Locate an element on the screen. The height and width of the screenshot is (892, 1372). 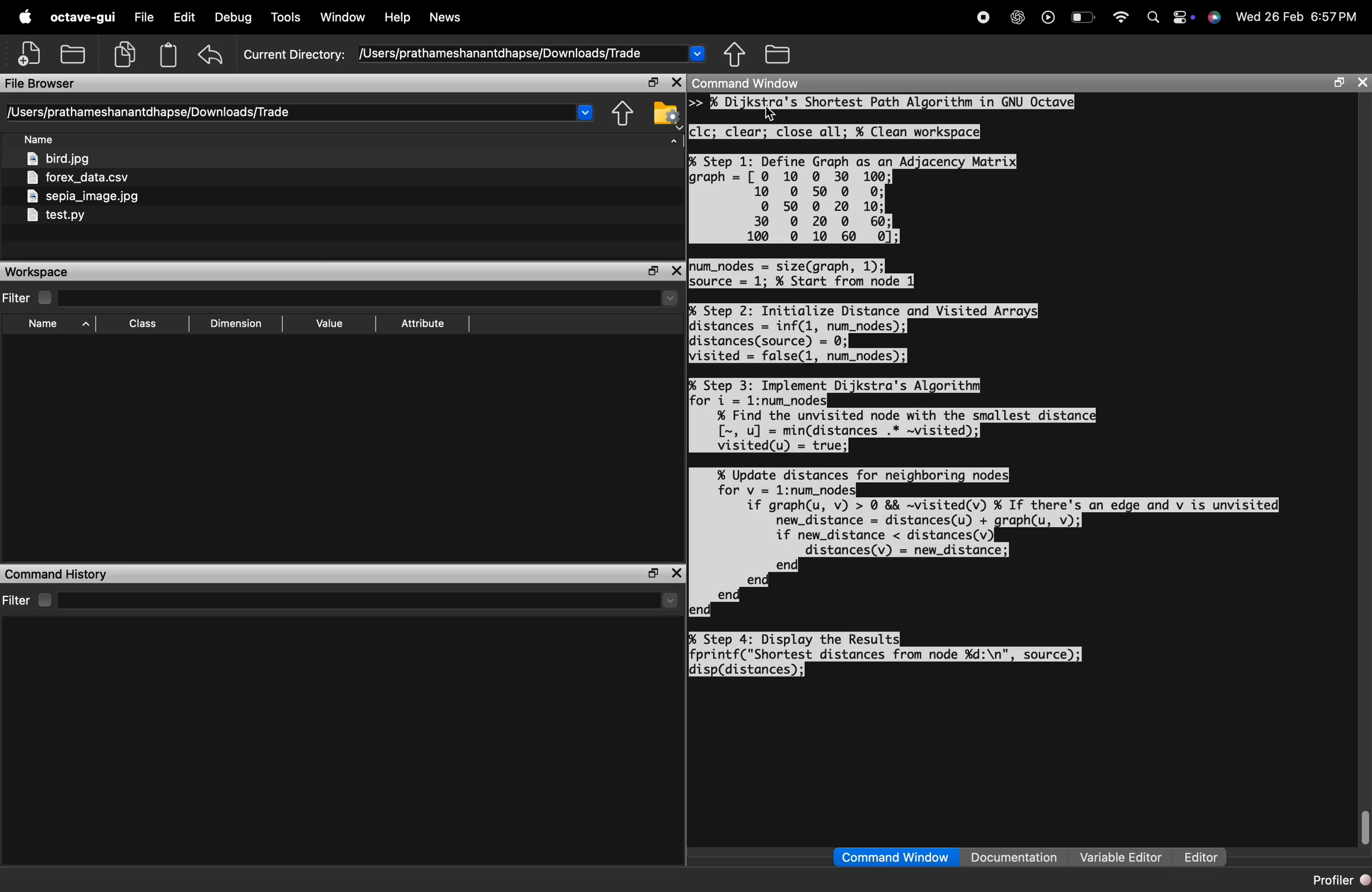
one directory up is located at coordinates (734, 54).